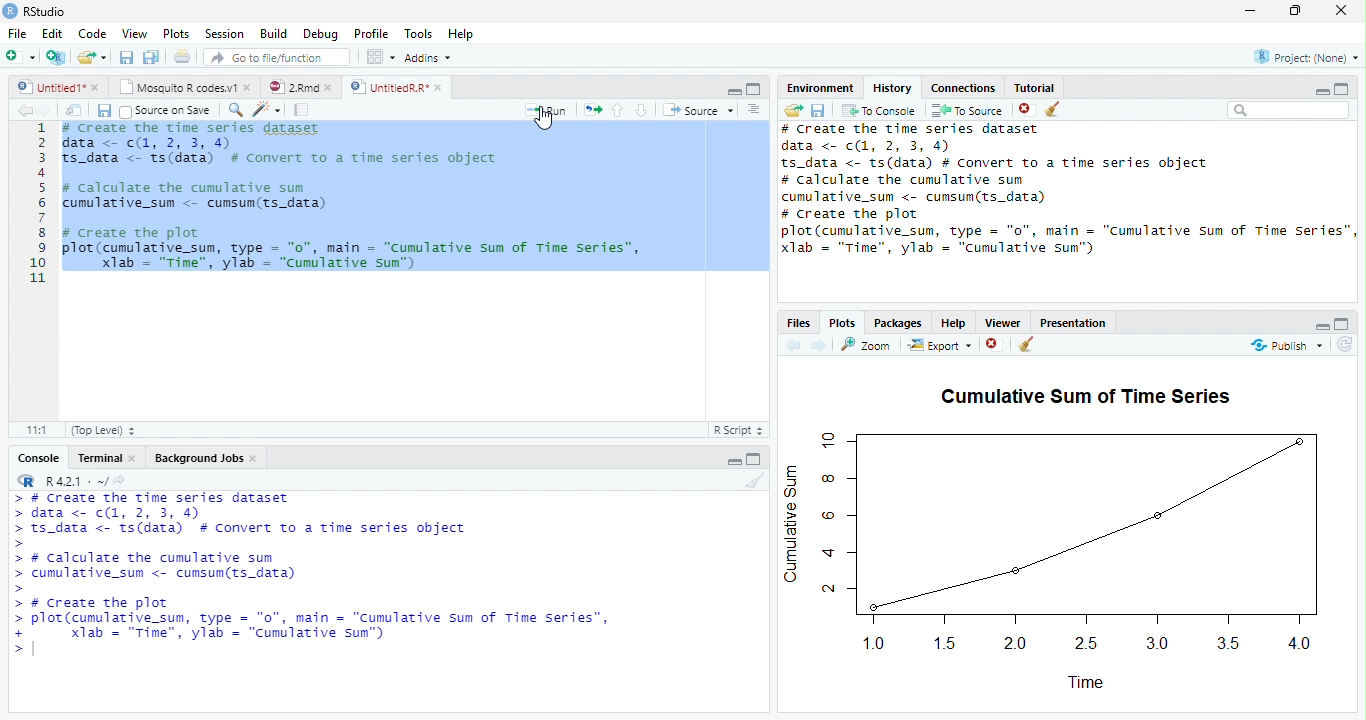 Image resolution: width=1366 pixels, height=720 pixels. What do you see at coordinates (46, 110) in the screenshot?
I see `Next` at bounding box center [46, 110].